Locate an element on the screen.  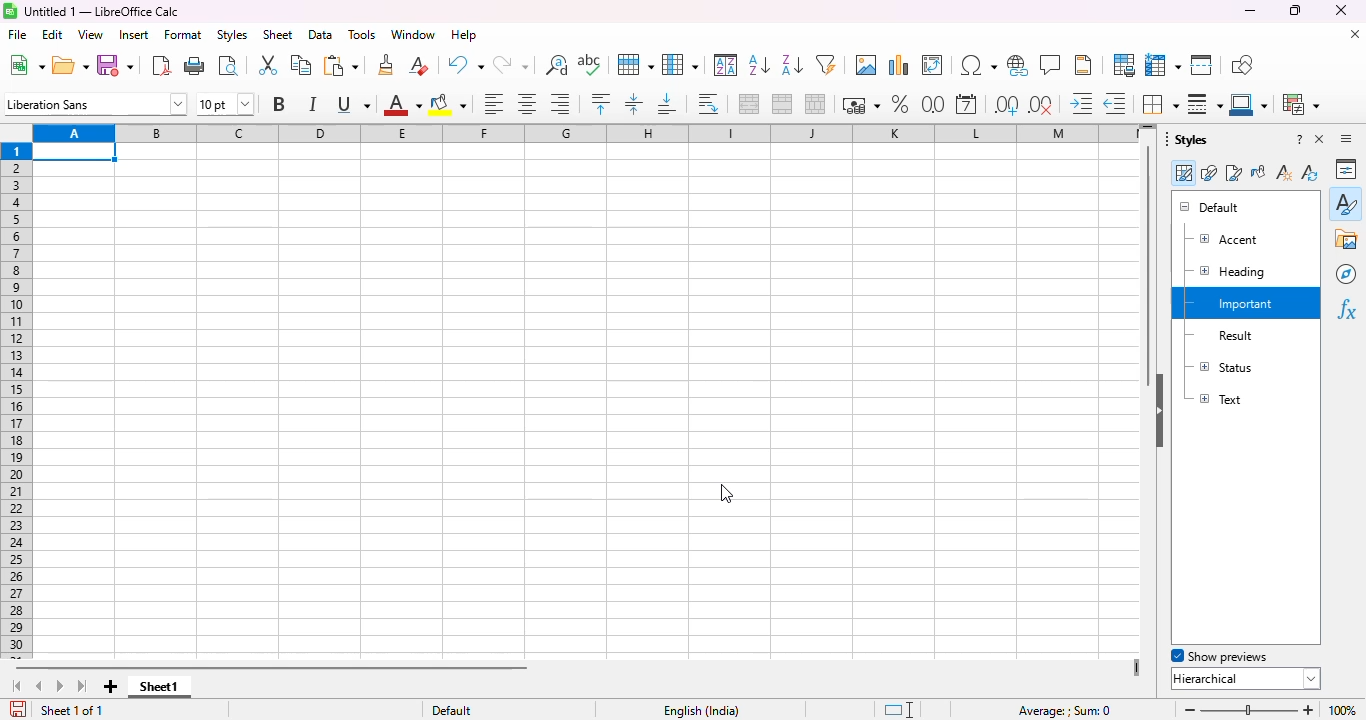
close document is located at coordinates (1354, 33).